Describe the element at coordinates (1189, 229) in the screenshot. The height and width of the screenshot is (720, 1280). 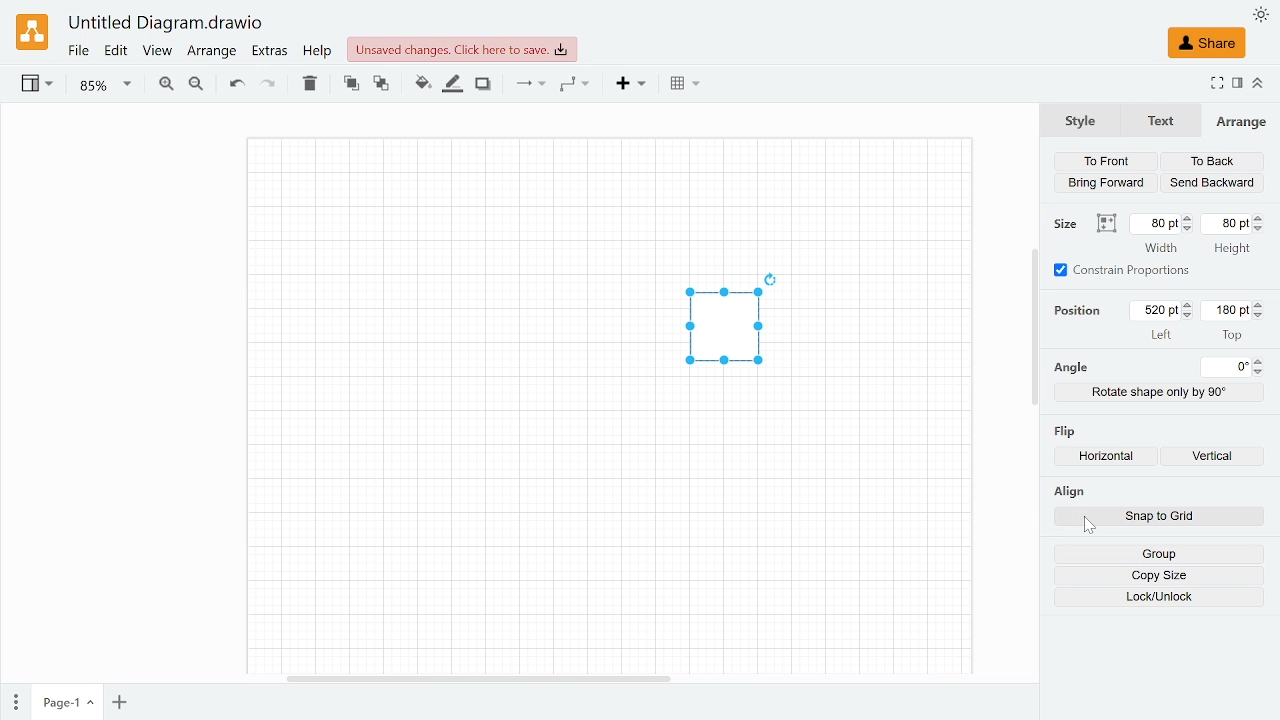
I see `Decrease width` at that location.